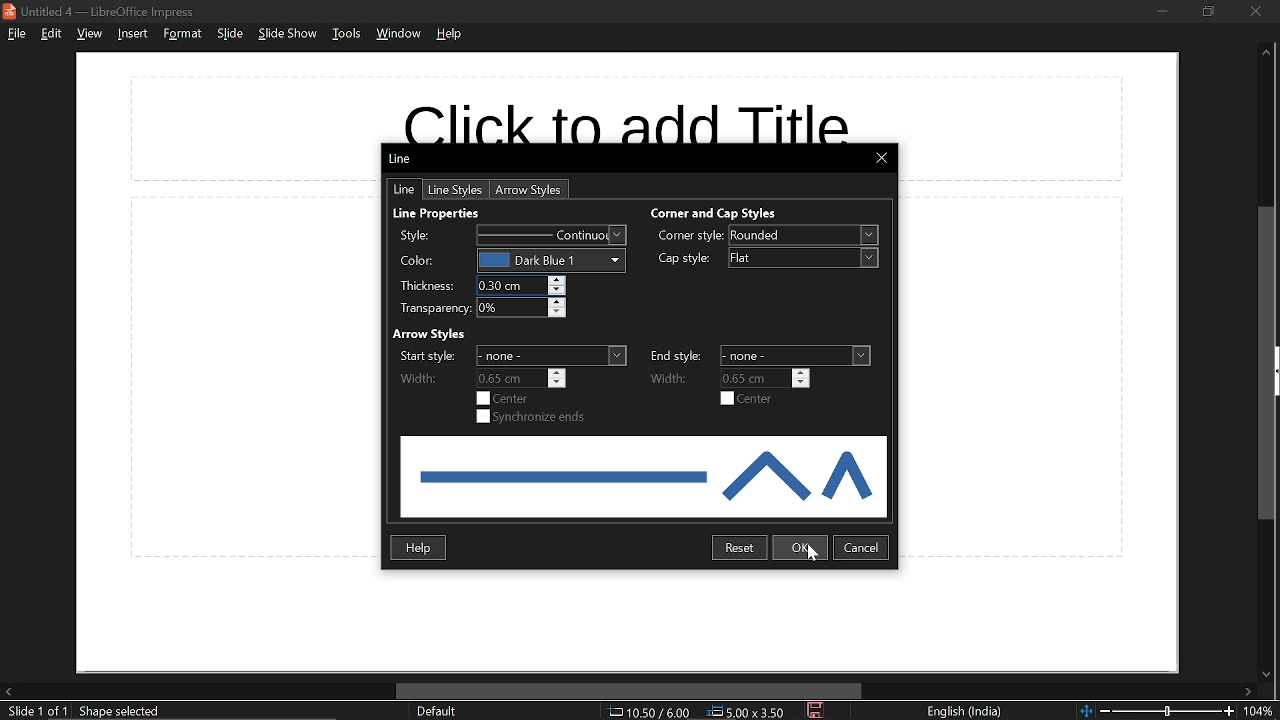  Describe the element at coordinates (403, 158) in the screenshot. I see `Current window` at that location.